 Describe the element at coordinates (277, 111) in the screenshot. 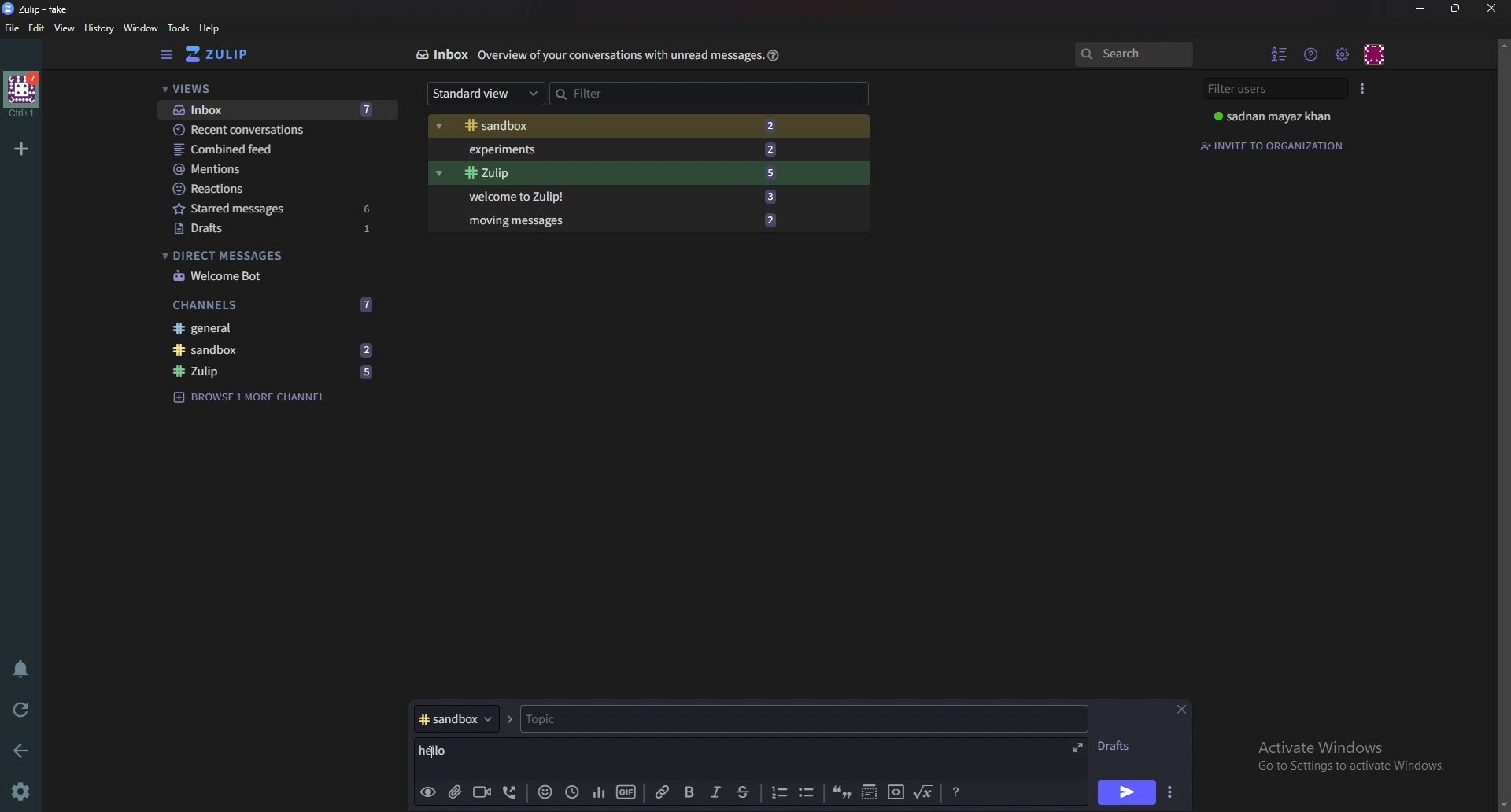

I see `Inbox 7` at that location.